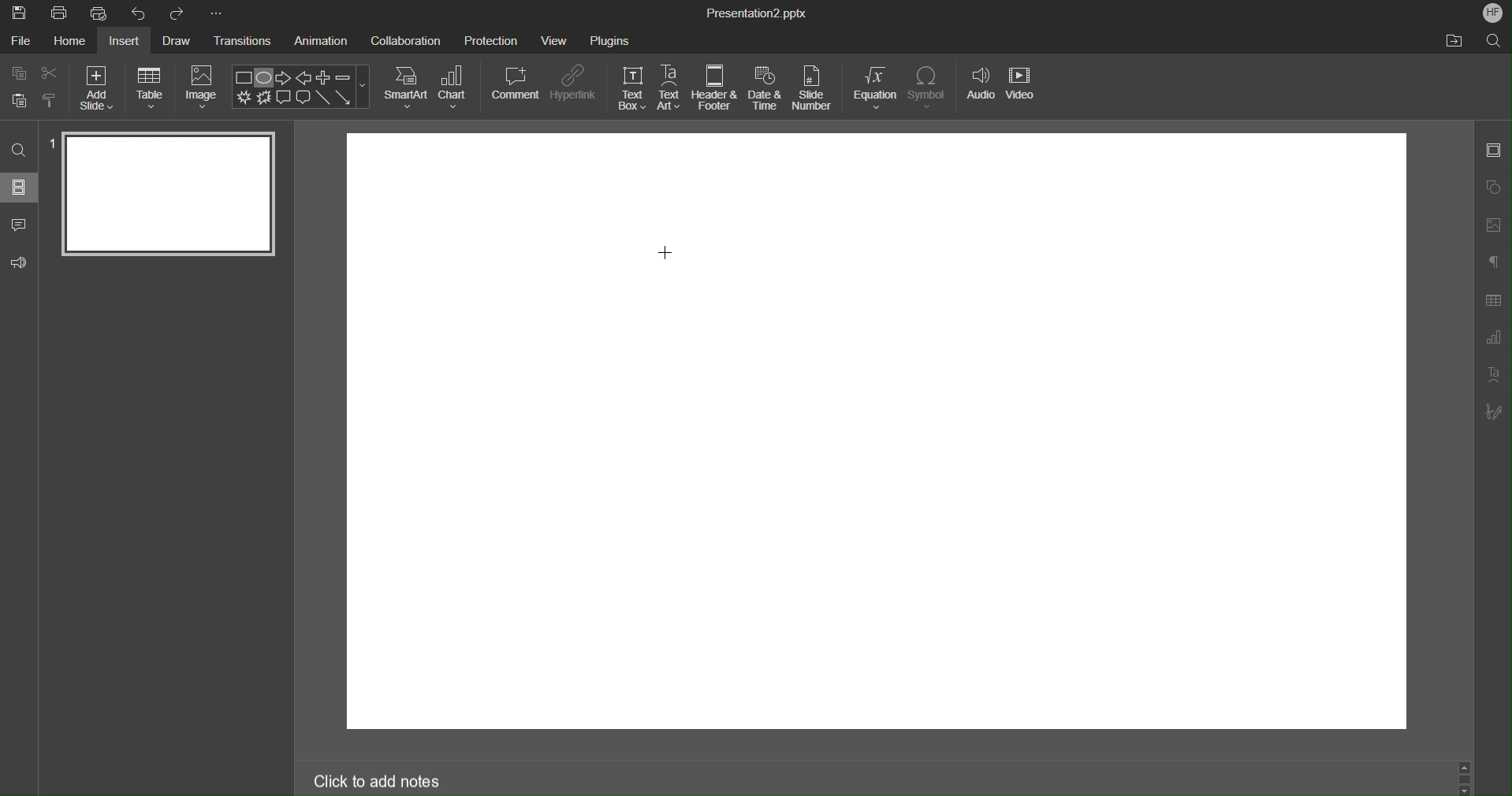  I want to click on Insert, so click(128, 42).